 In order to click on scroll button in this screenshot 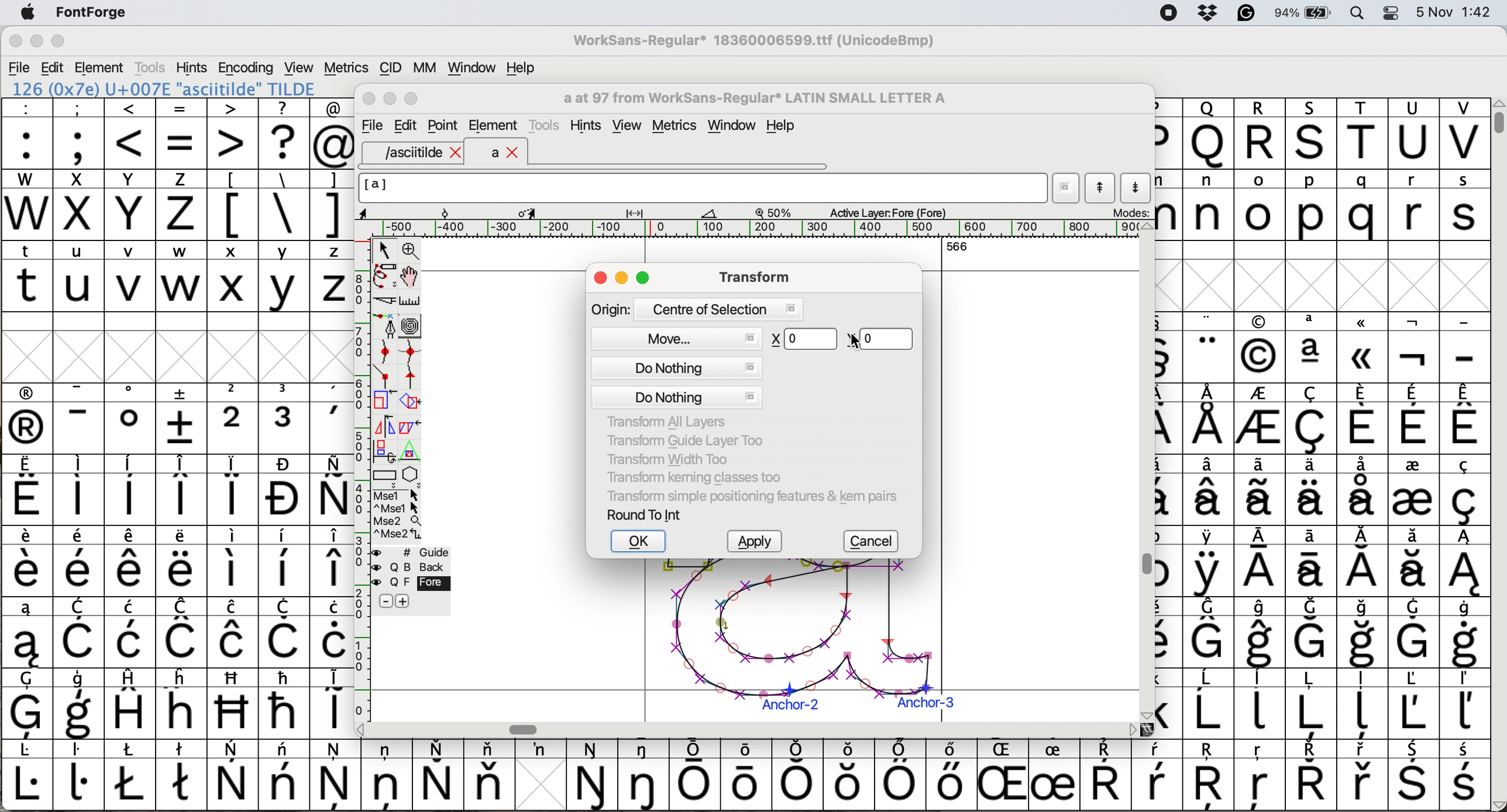, I will do `click(1497, 804)`.